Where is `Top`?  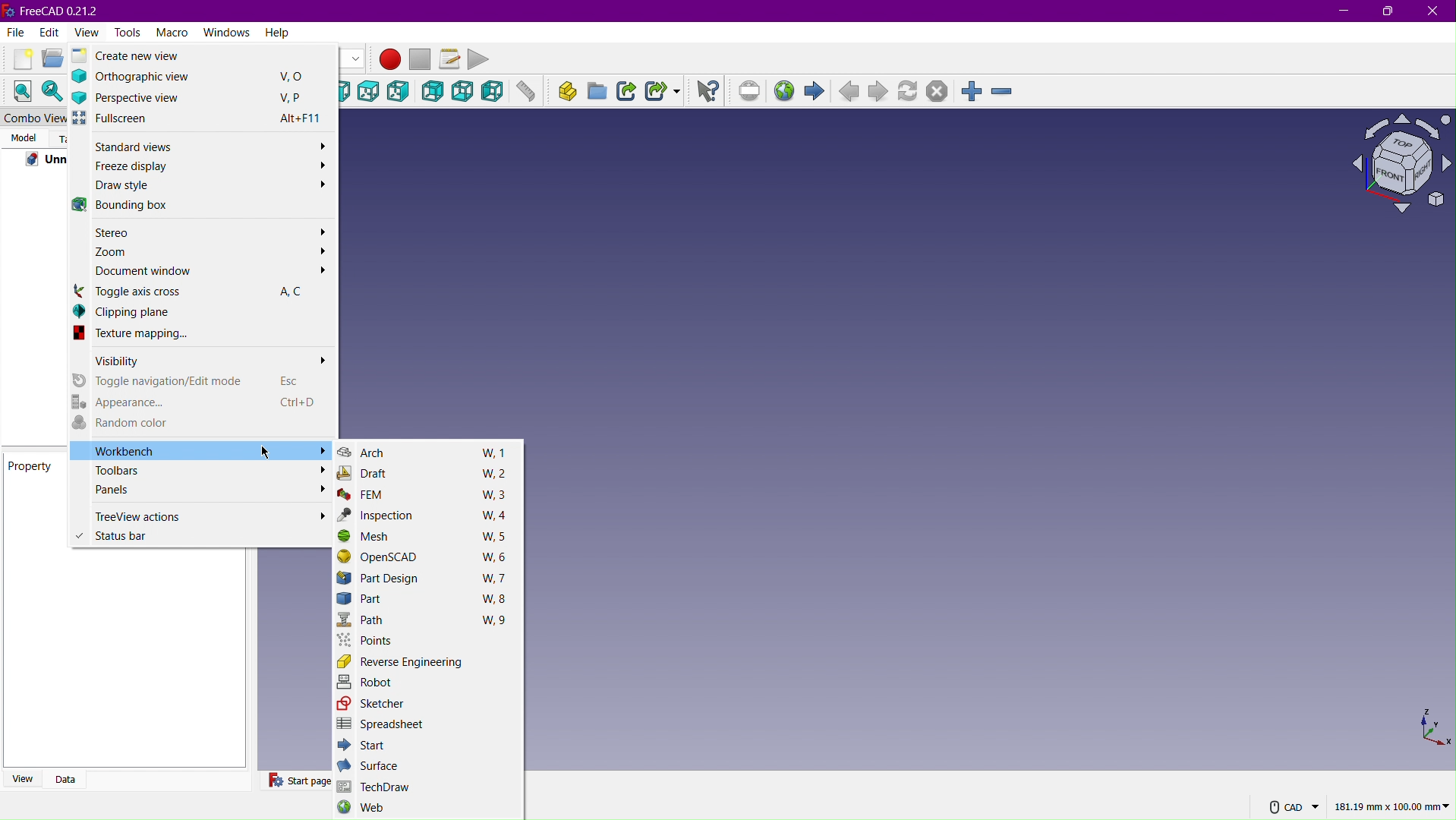
Top is located at coordinates (368, 91).